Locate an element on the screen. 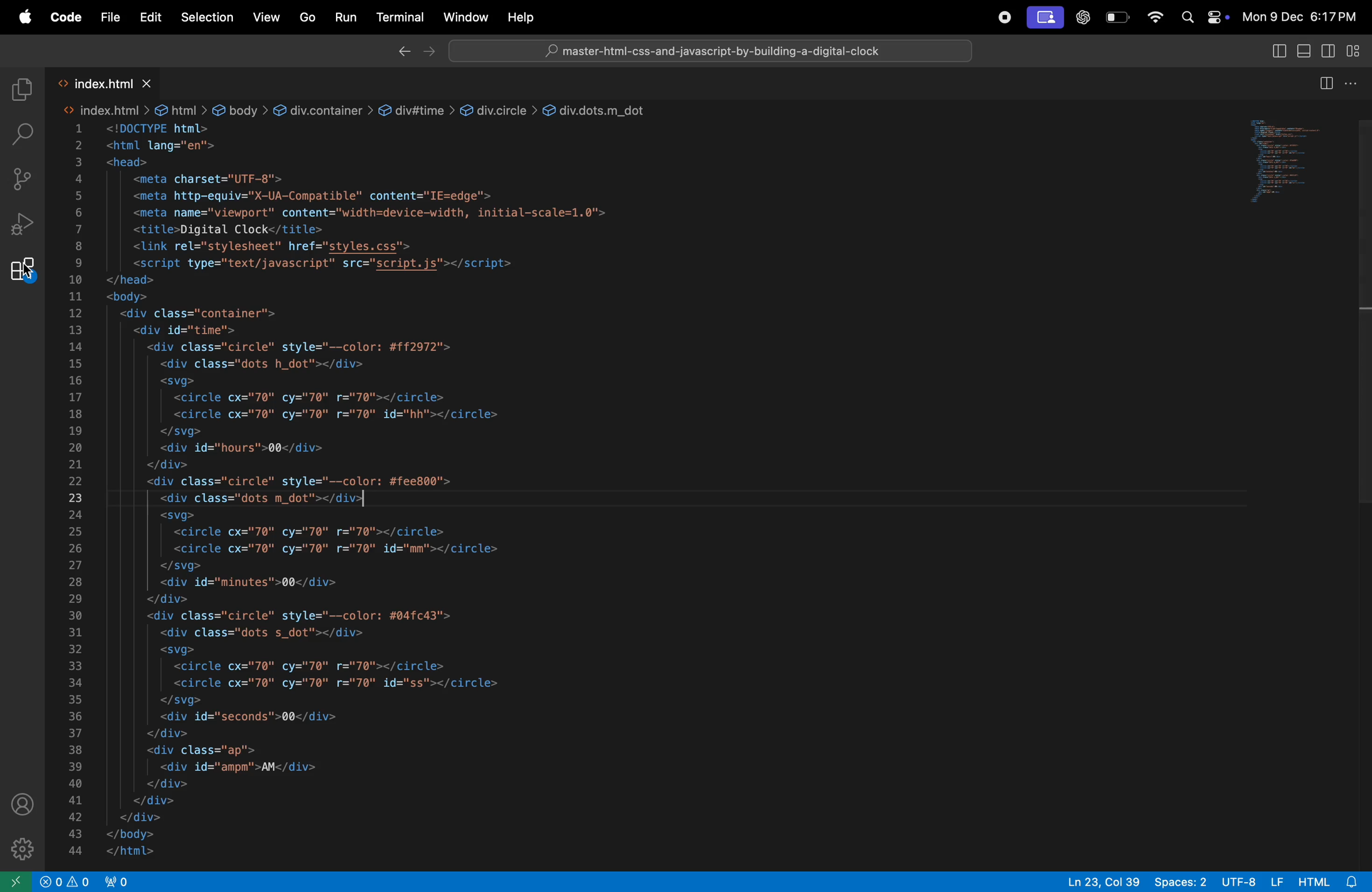 The image size is (1372, 892). wifi is located at coordinates (1153, 18).